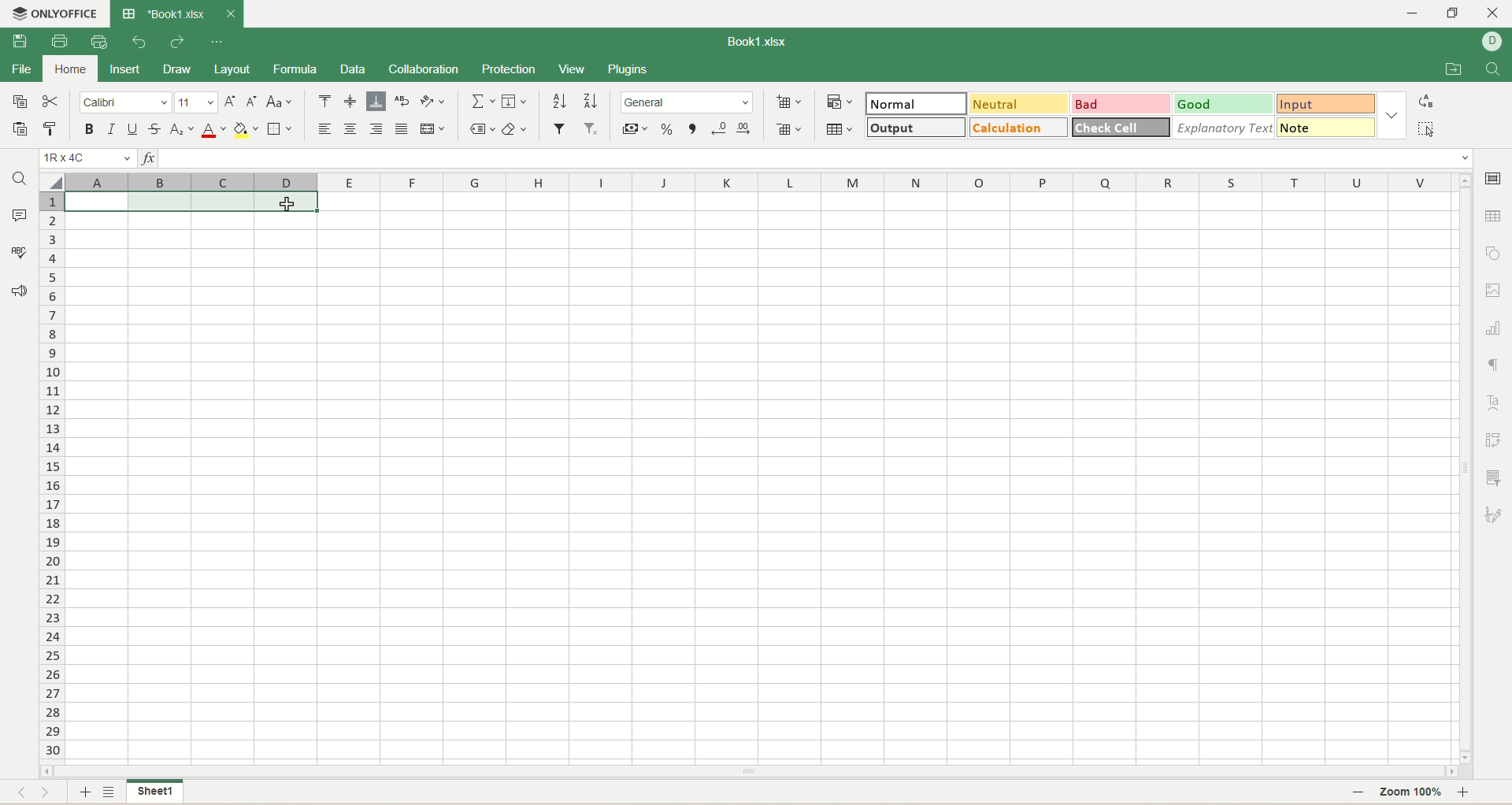 The width and height of the screenshot is (1512, 805). I want to click on data, so click(351, 71).